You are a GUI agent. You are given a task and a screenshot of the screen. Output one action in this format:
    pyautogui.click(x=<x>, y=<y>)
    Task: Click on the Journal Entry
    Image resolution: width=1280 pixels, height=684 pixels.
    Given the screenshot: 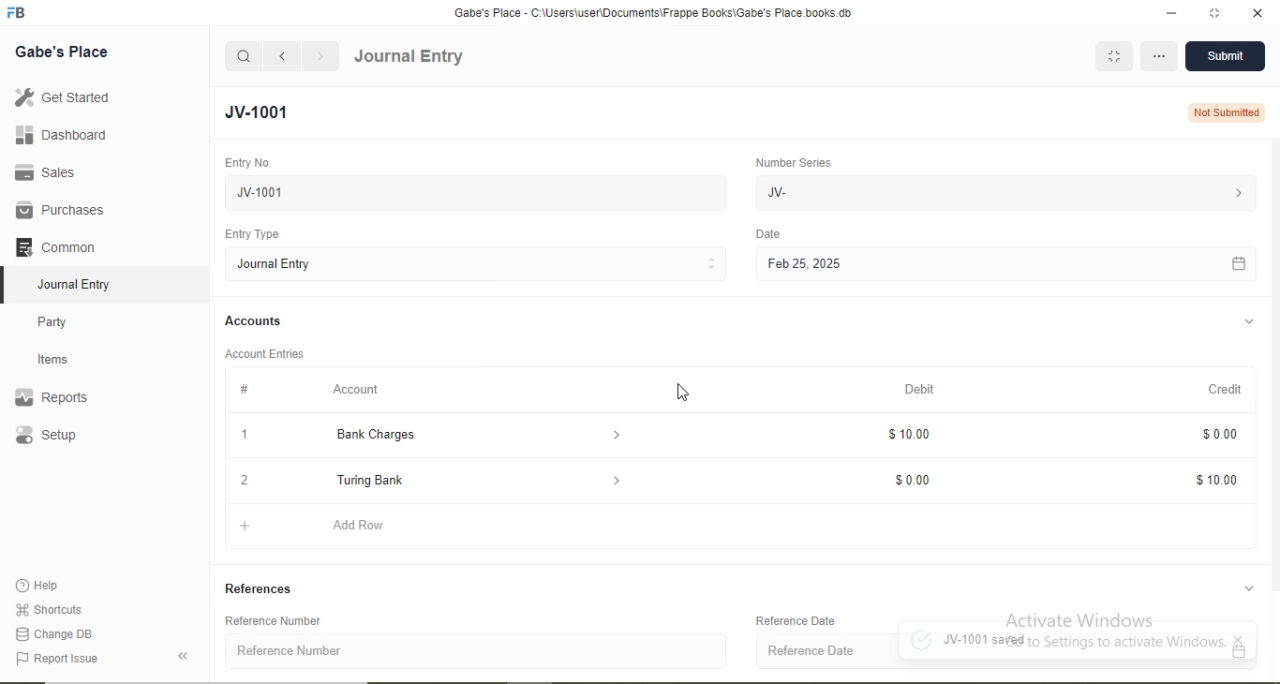 What is the action you would take?
    pyautogui.click(x=409, y=57)
    